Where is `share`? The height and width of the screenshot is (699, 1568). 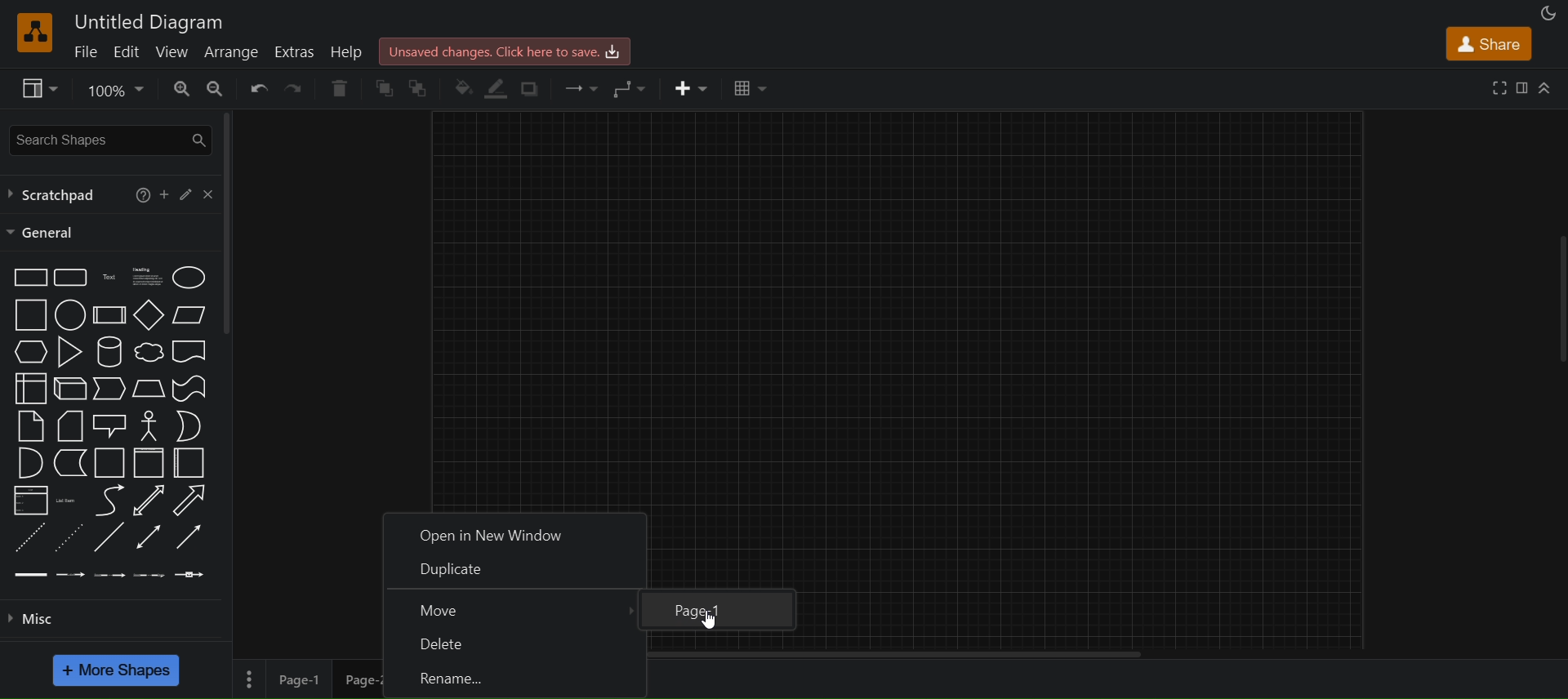
share is located at coordinates (1490, 42).